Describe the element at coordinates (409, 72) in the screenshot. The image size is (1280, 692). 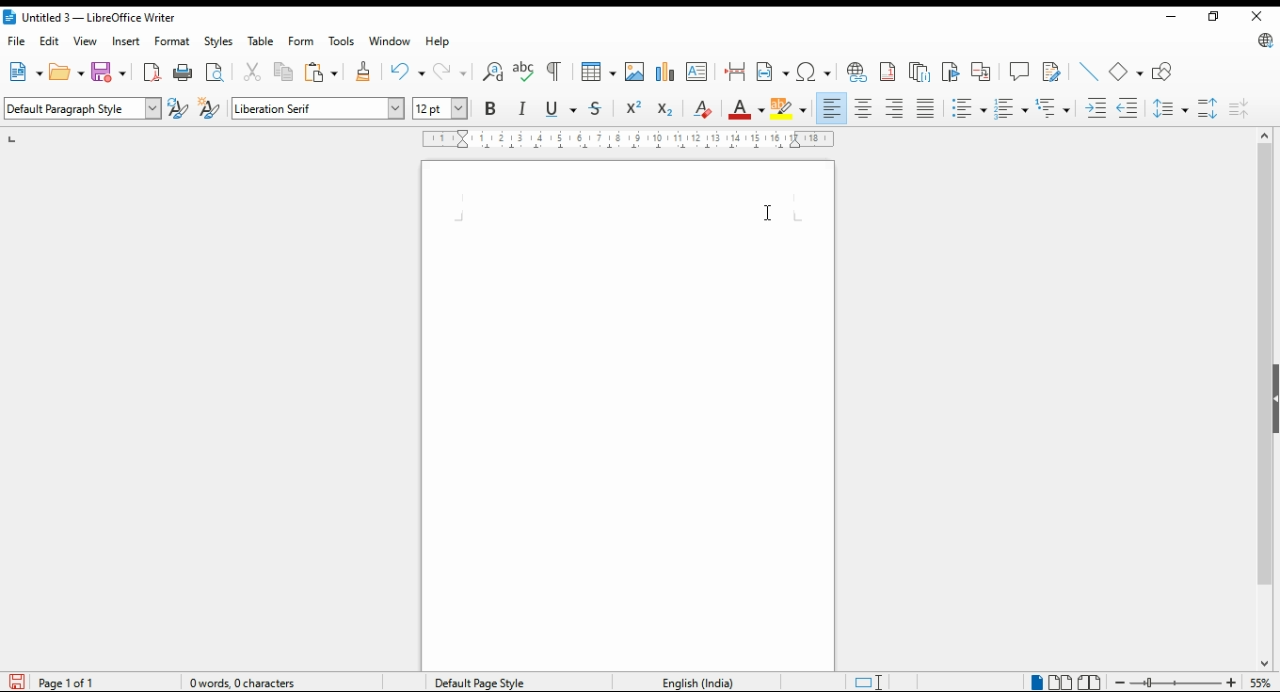
I see `undo` at that location.